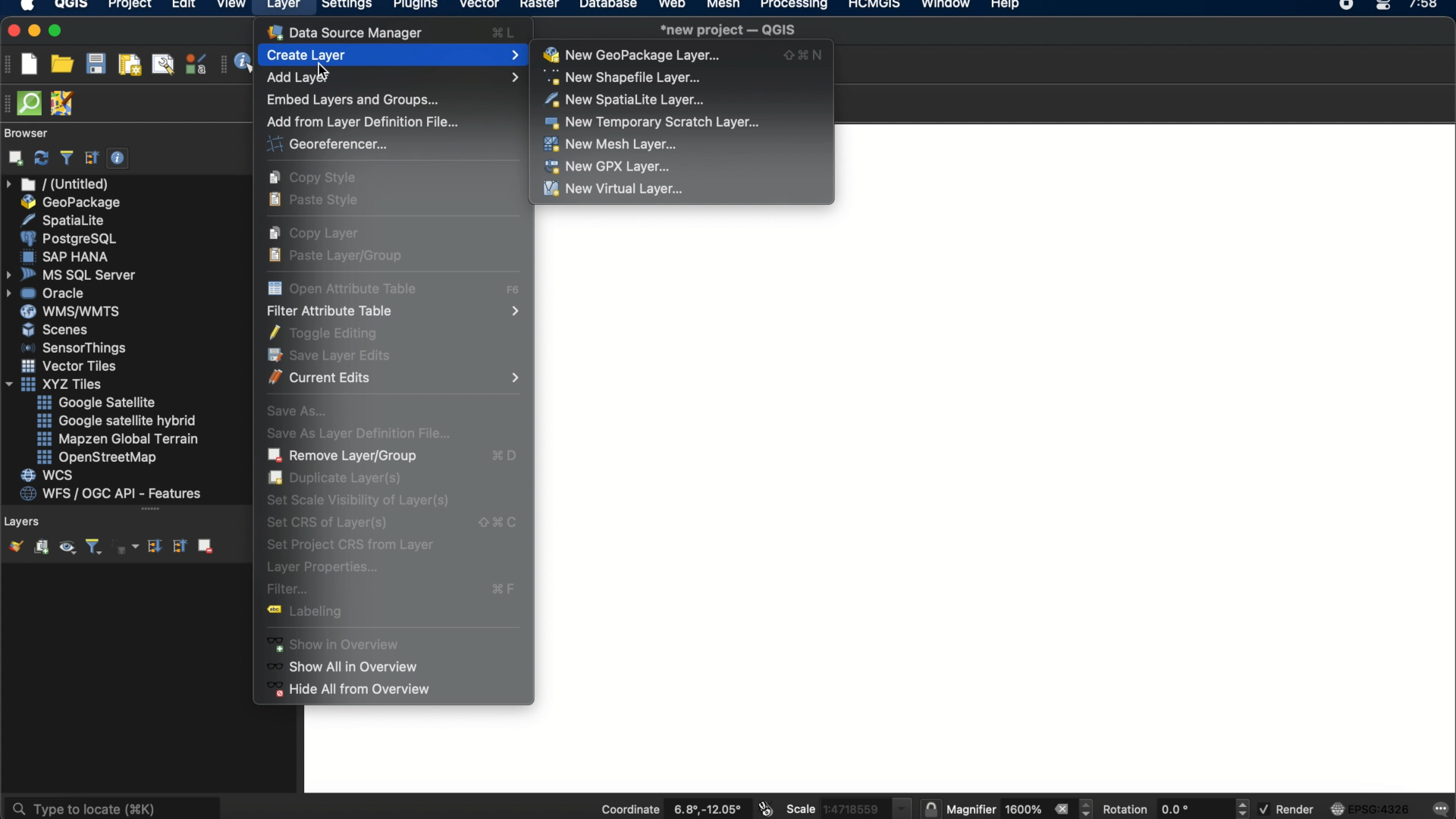 The image size is (1456, 819). I want to click on minimize, so click(34, 31).